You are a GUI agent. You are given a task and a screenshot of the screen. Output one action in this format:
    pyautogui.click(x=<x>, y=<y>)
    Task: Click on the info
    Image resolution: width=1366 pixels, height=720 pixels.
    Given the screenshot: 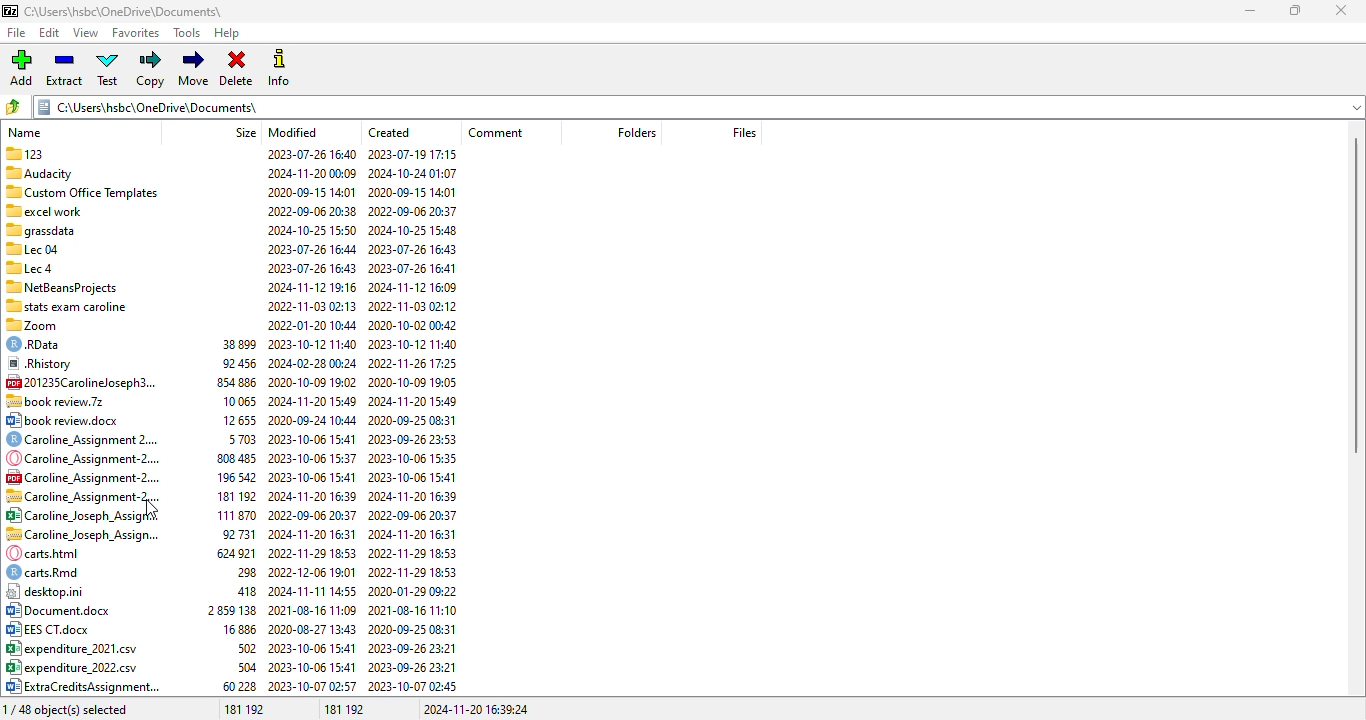 What is the action you would take?
    pyautogui.click(x=278, y=68)
    